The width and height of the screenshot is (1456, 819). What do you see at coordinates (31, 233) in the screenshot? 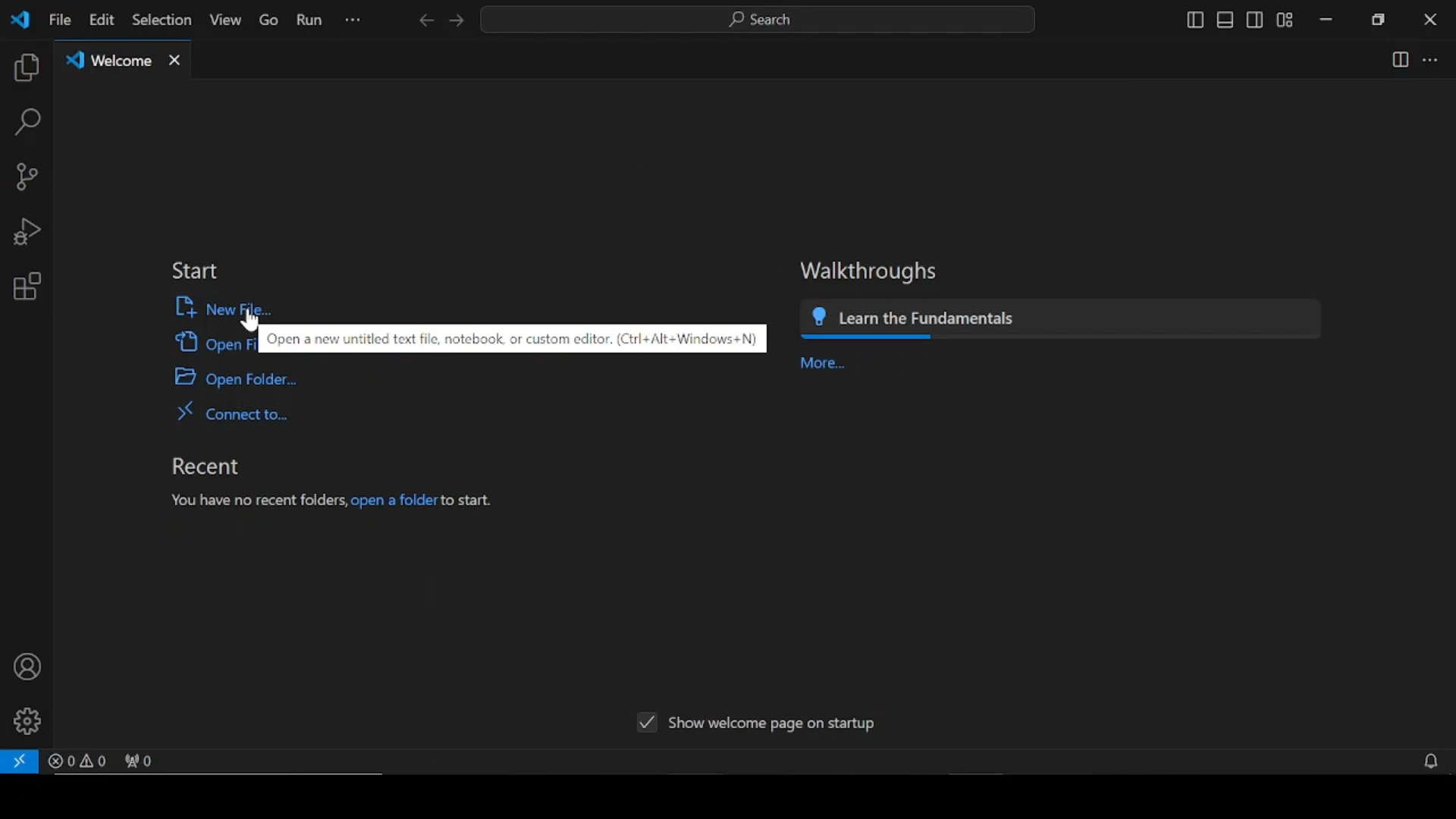
I see `run and debug` at bounding box center [31, 233].